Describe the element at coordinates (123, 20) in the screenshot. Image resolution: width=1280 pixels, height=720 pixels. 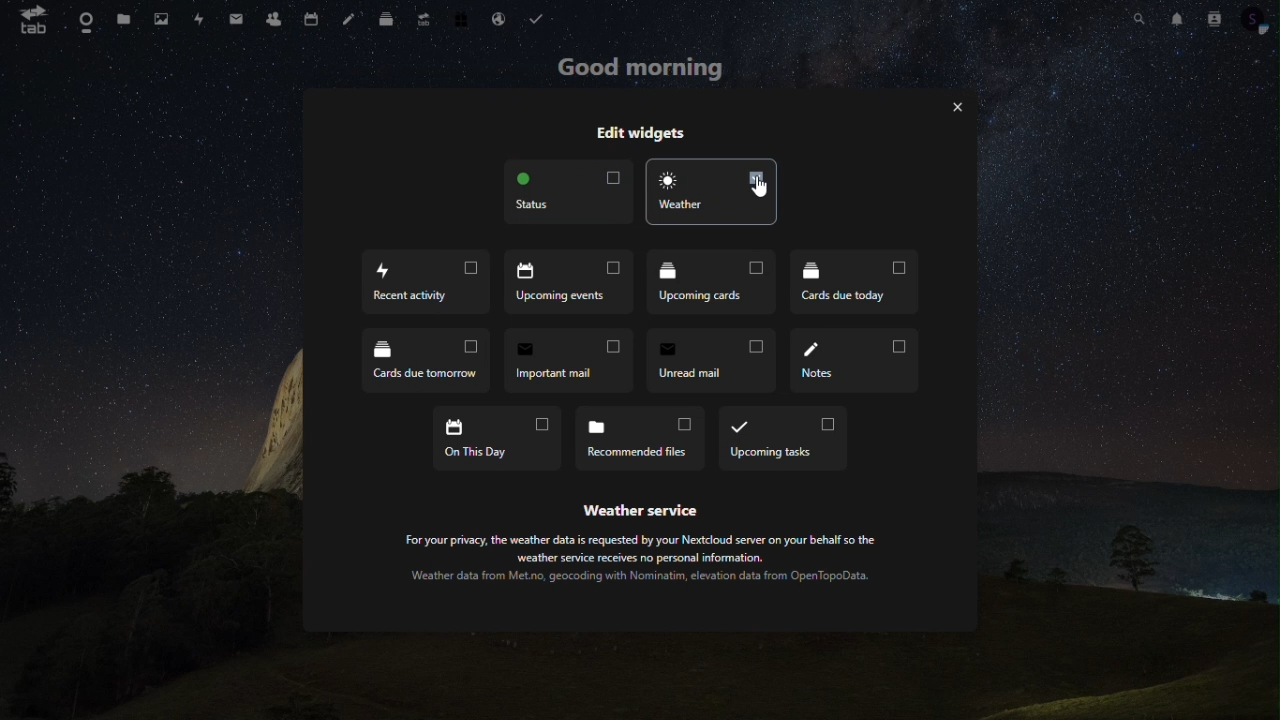
I see `files` at that location.